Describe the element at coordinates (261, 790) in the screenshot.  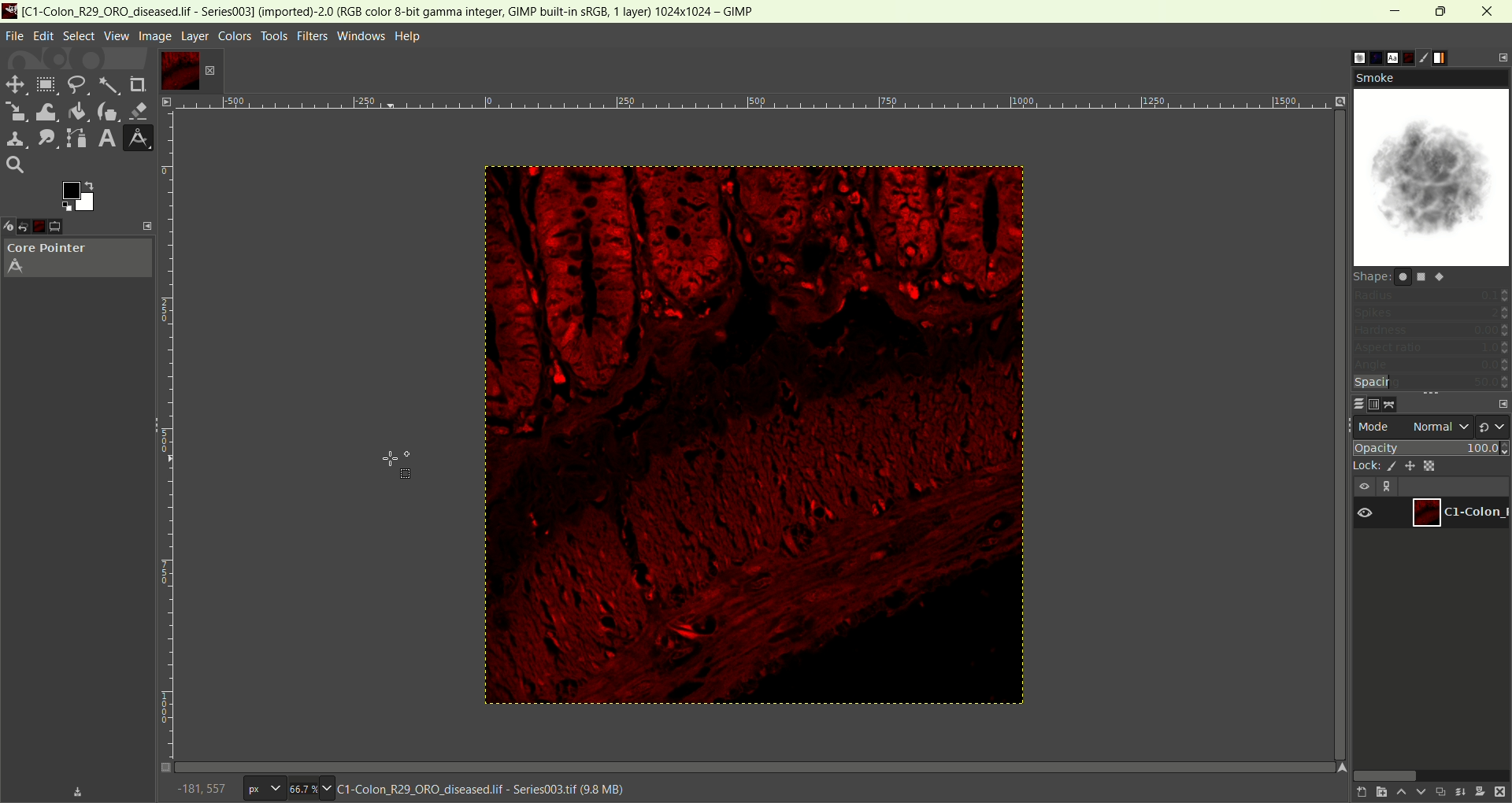
I see `pixe;` at that location.